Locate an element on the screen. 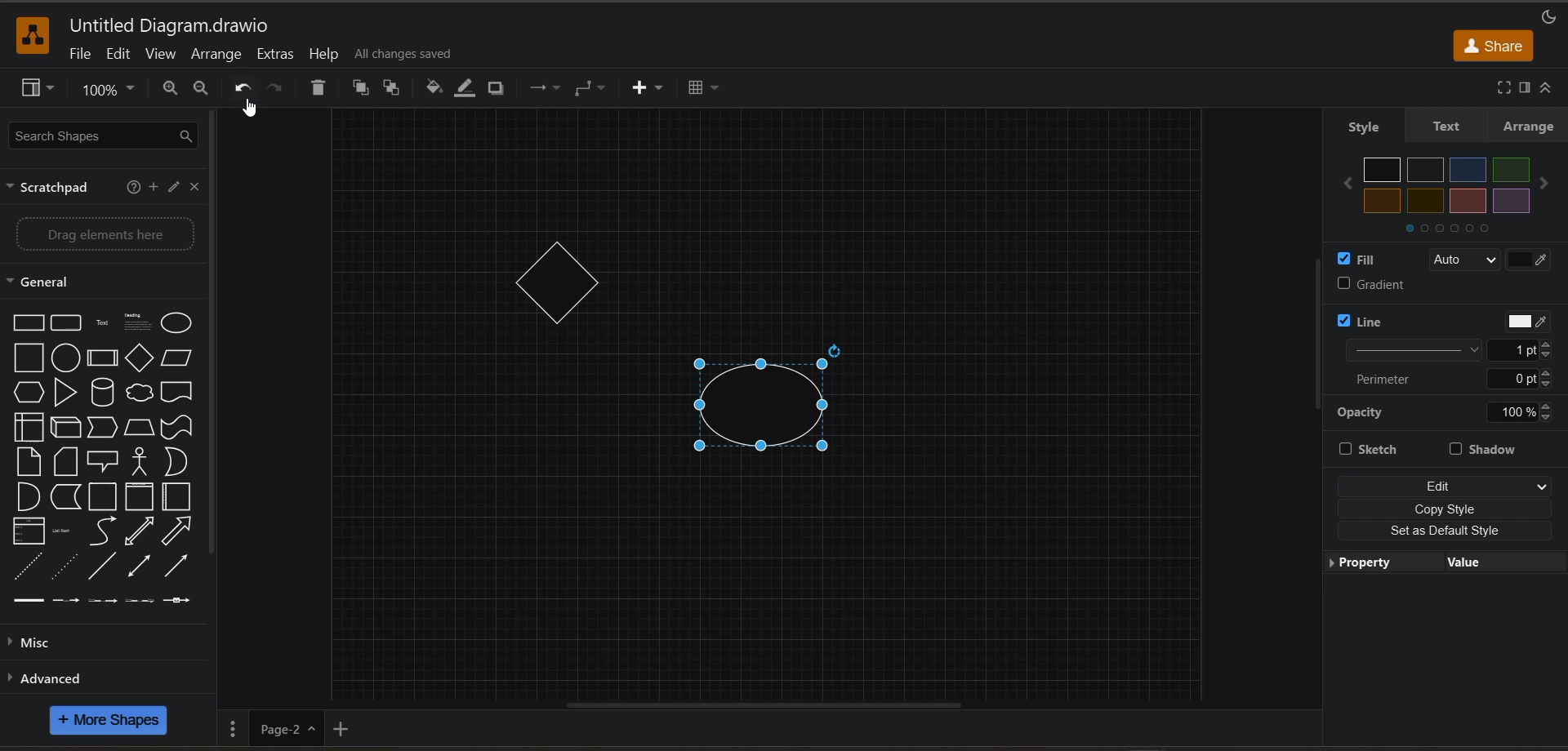  shadow is located at coordinates (1488, 450).